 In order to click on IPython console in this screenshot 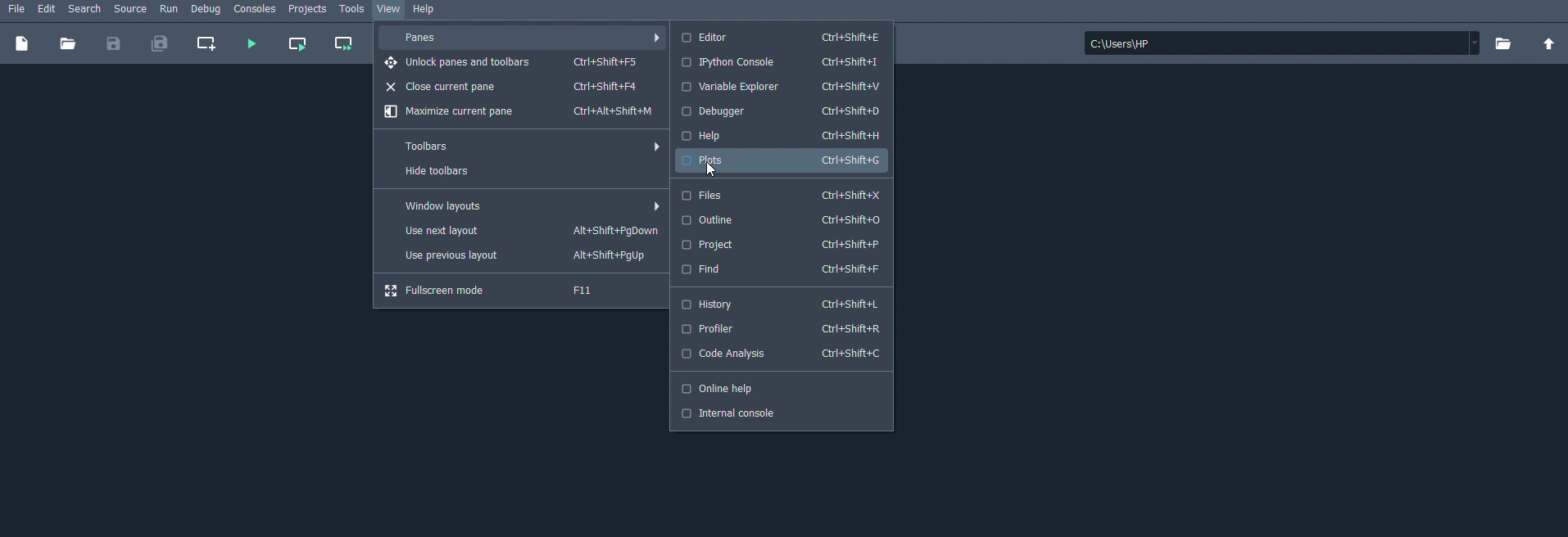, I will do `click(777, 62)`.